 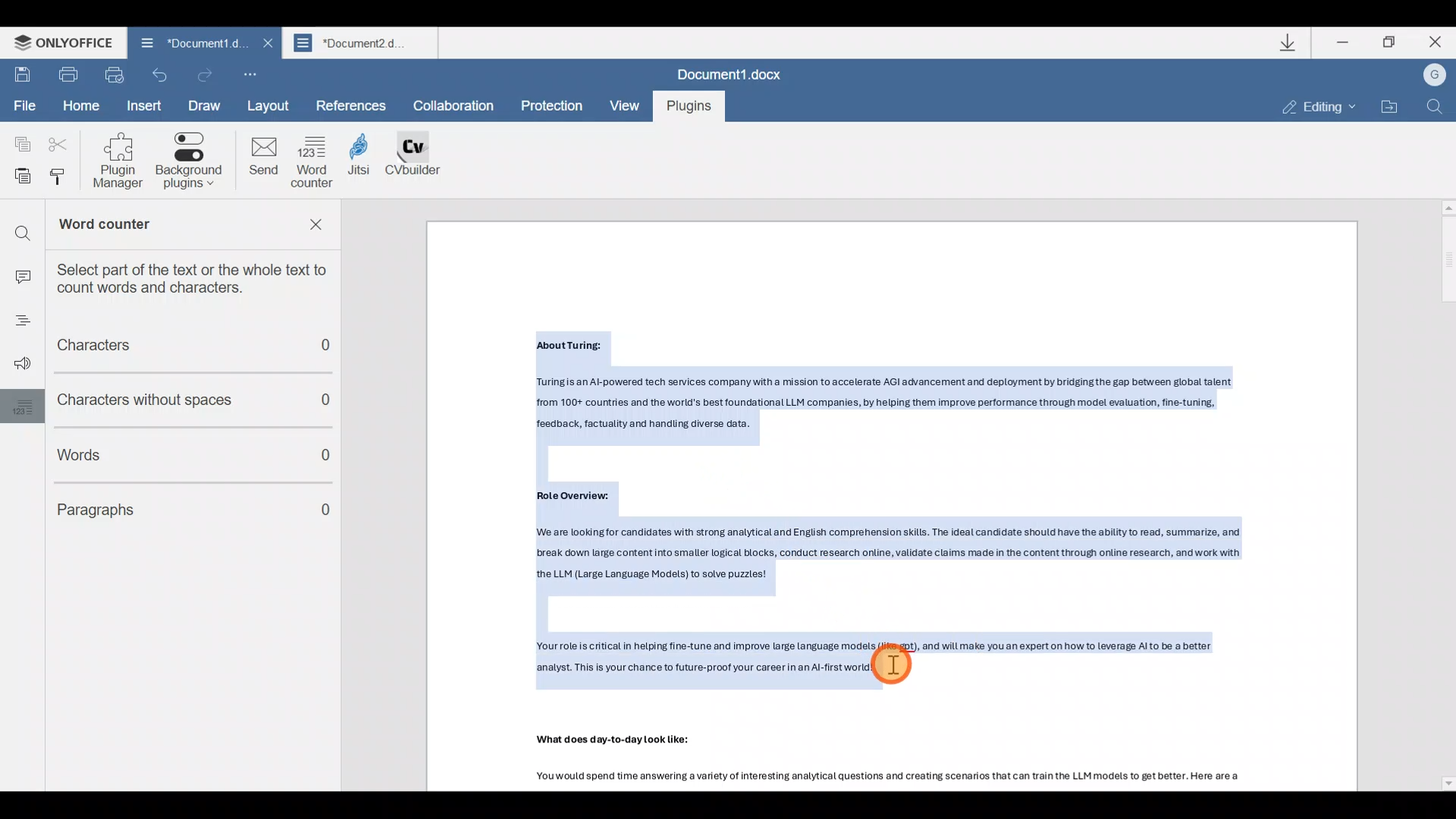 I want to click on Copy style, so click(x=64, y=180).